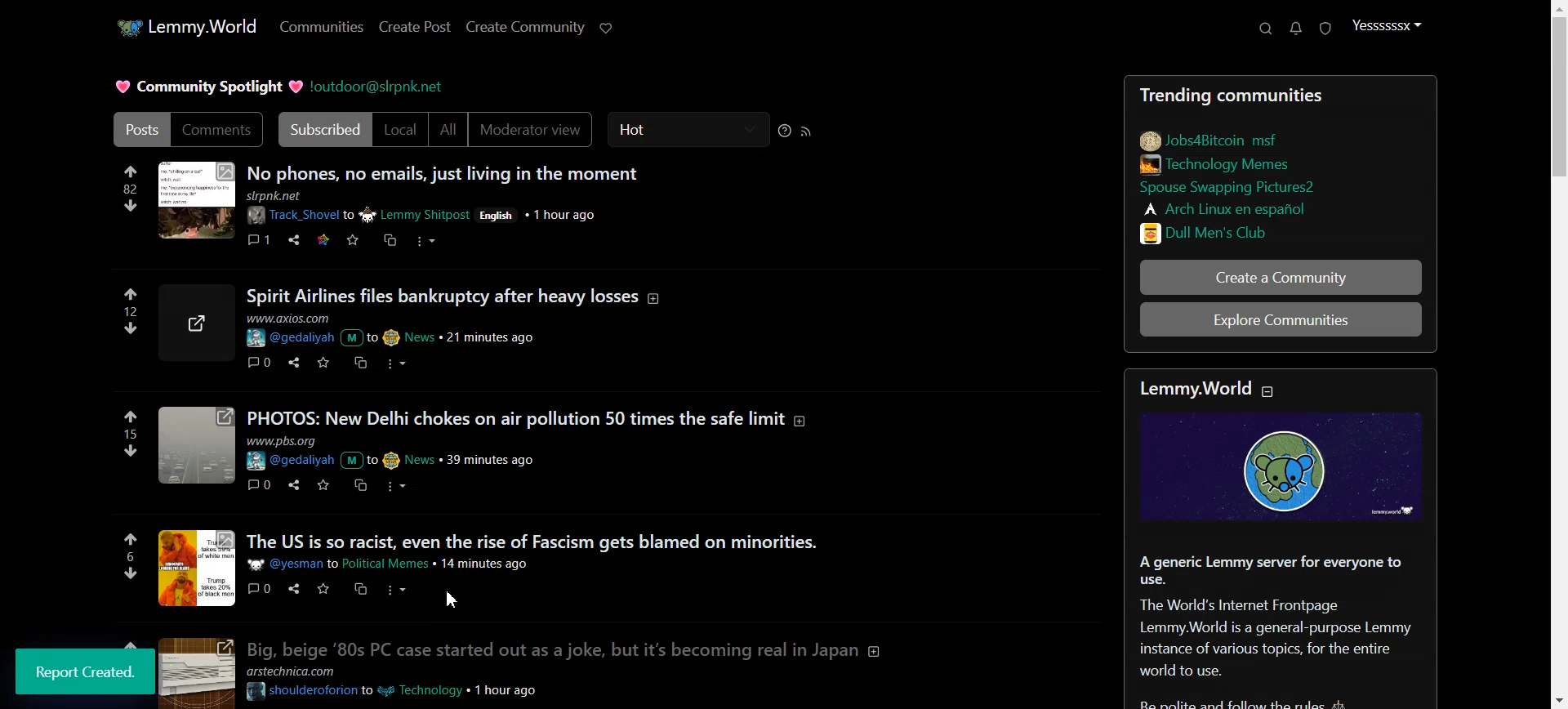 The width and height of the screenshot is (1568, 709). I want to click on Post, so click(136, 129).